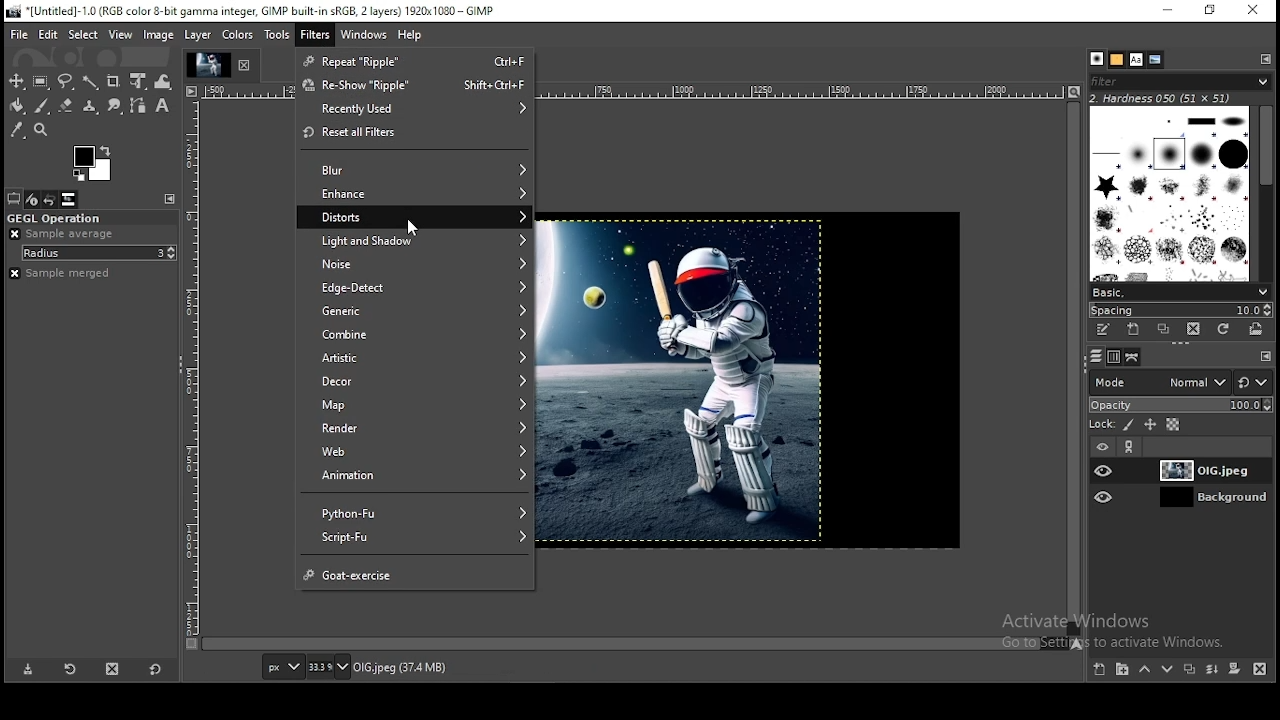 The height and width of the screenshot is (720, 1280). Describe the element at coordinates (1133, 446) in the screenshot. I see `link` at that location.